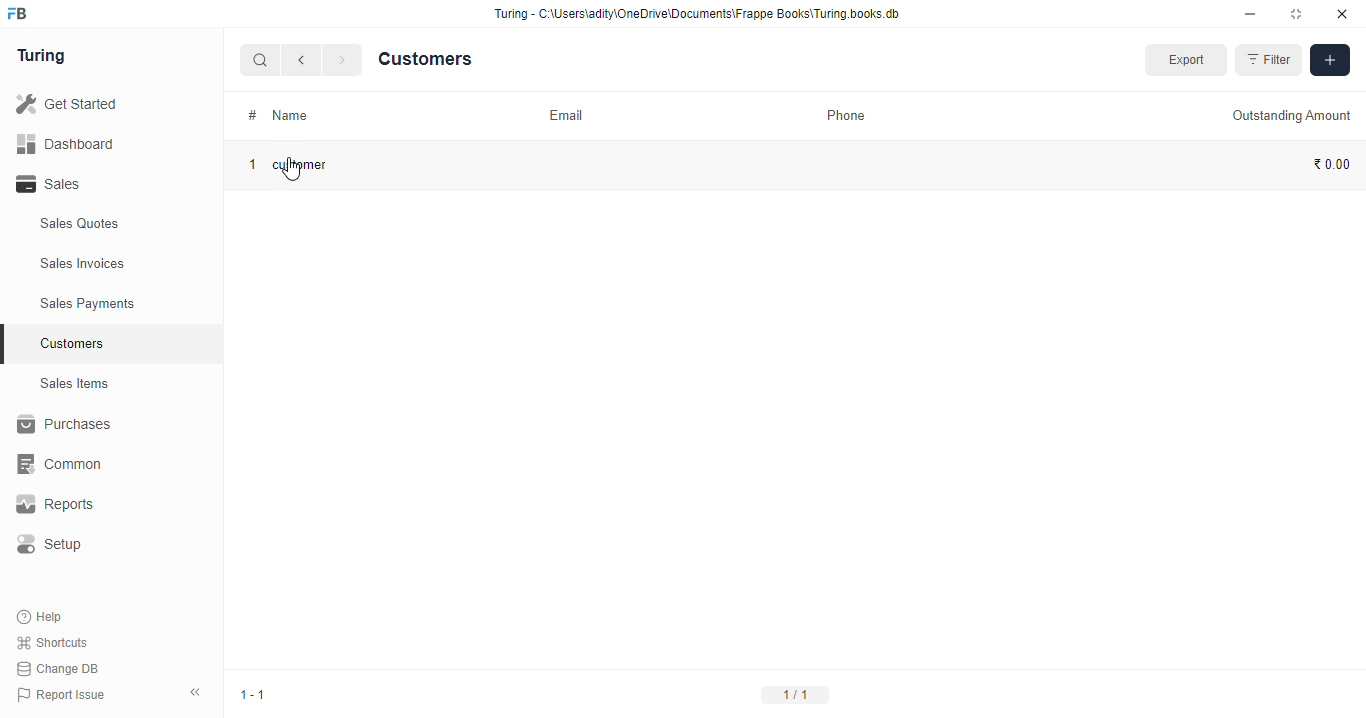  Describe the element at coordinates (101, 544) in the screenshot. I see `Setup` at that location.